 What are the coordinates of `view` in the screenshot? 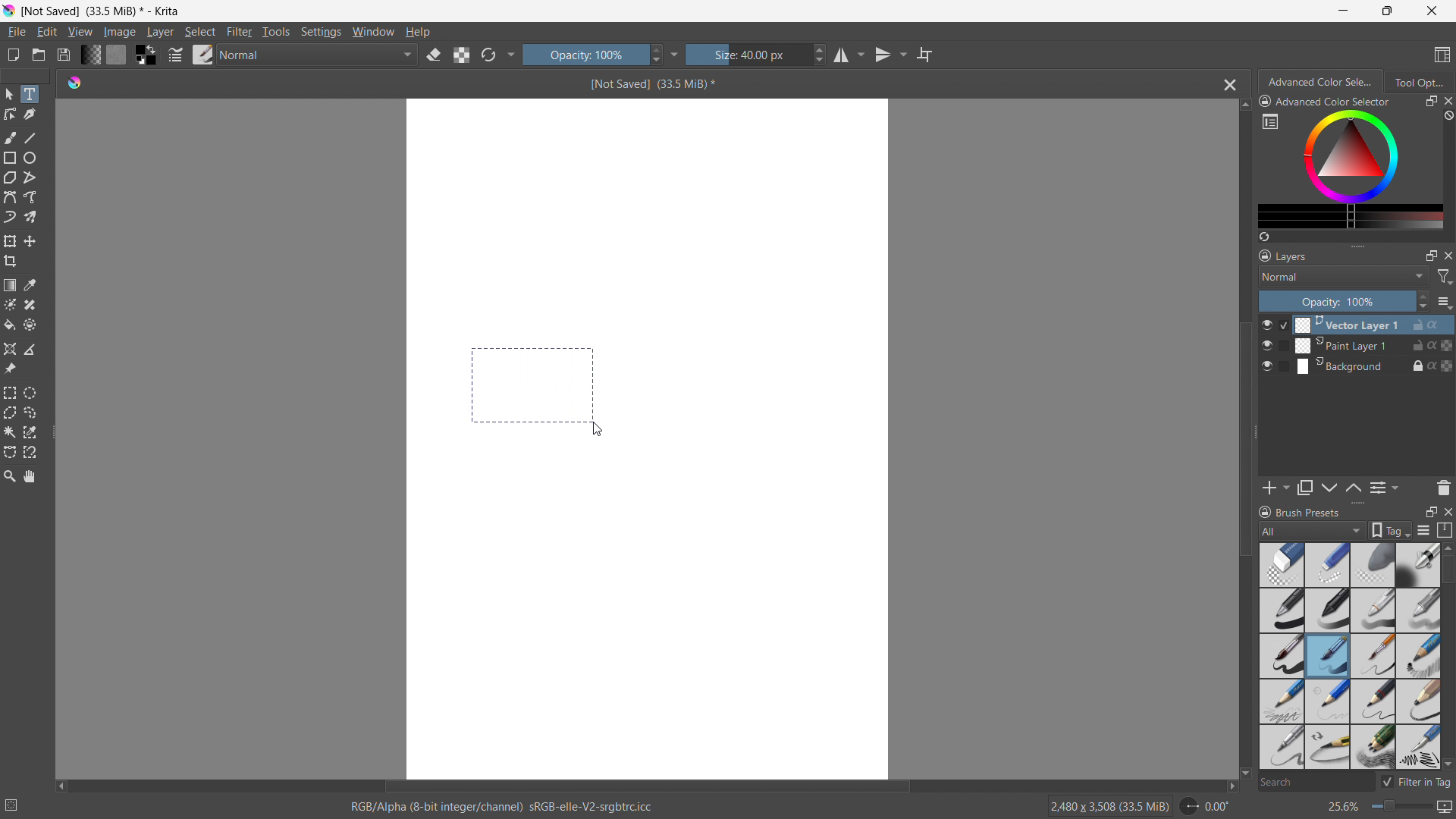 It's located at (80, 32).